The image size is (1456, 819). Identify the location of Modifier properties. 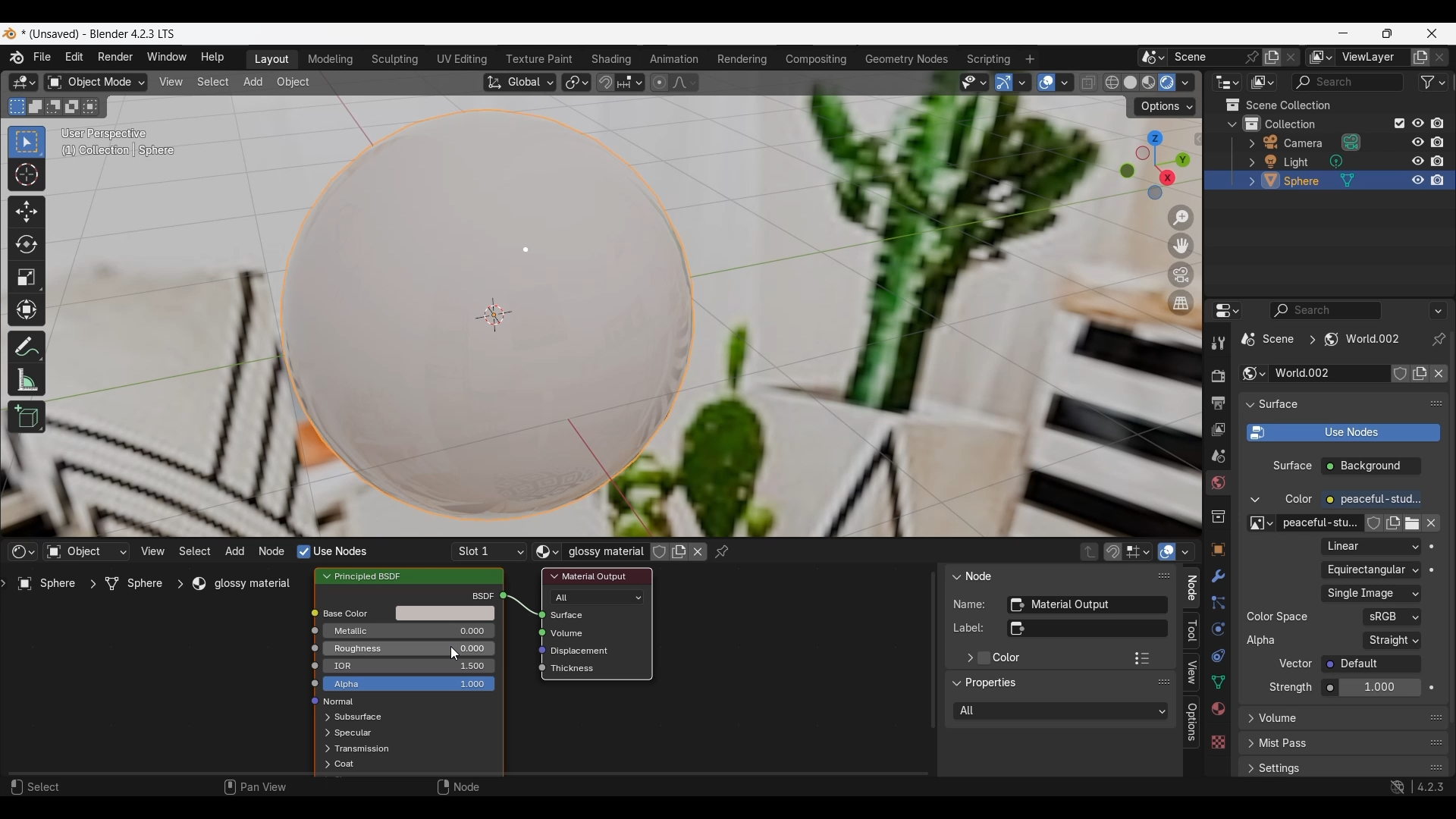
(1217, 576).